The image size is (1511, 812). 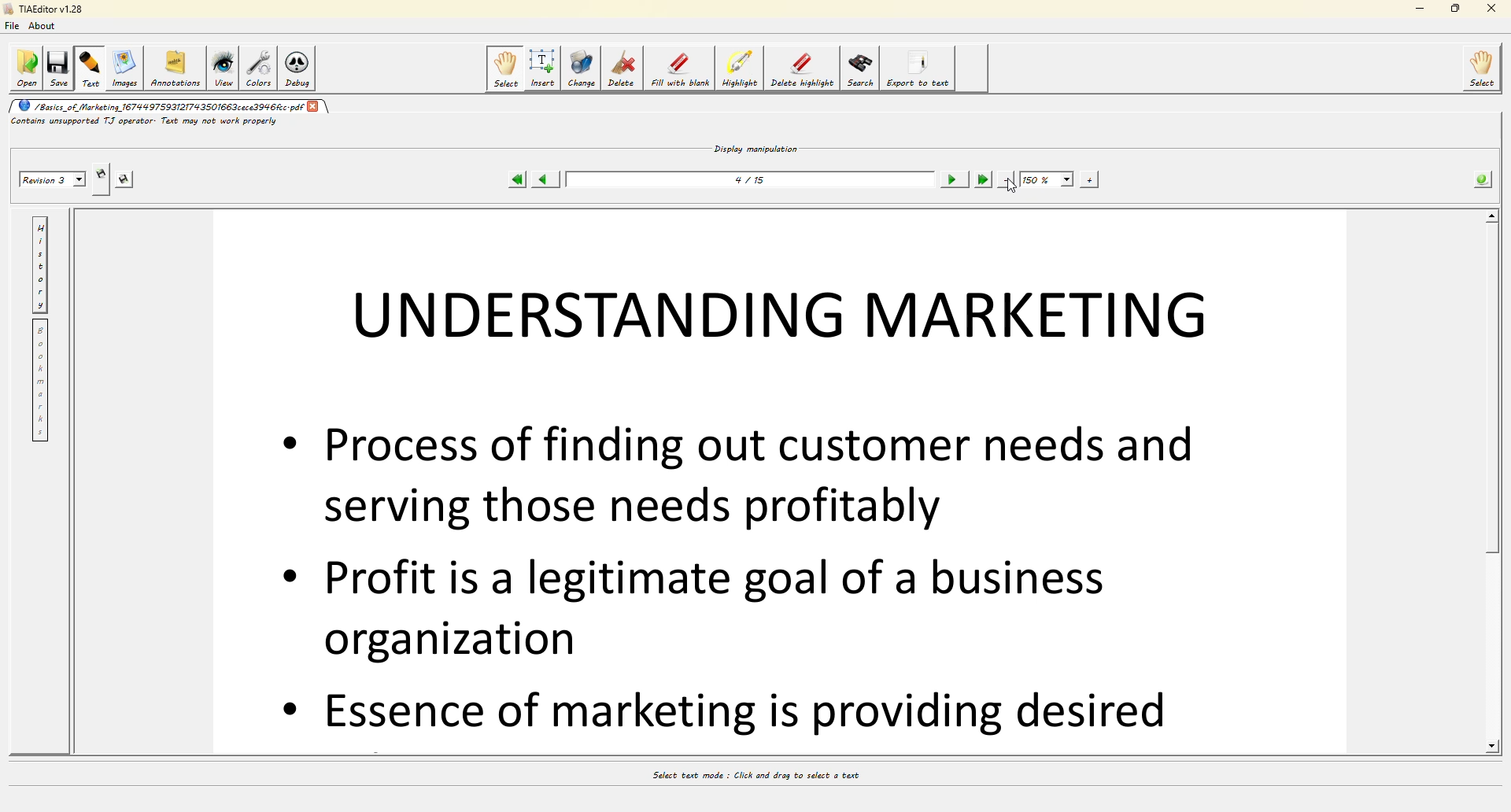 What do you see at coordinates (126, 179) in the screenshot?
I see `save revision` at bounding box center [126, 179].